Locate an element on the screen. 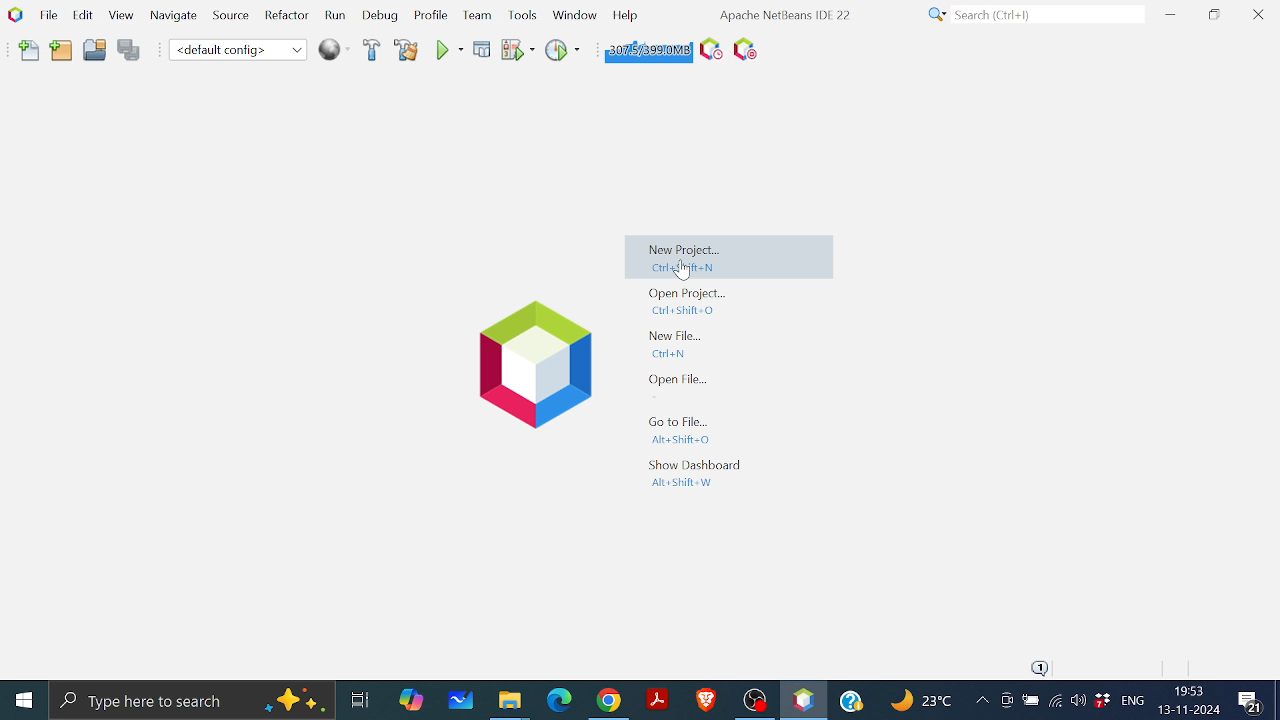  Edit is located at coordinates (80, 14).